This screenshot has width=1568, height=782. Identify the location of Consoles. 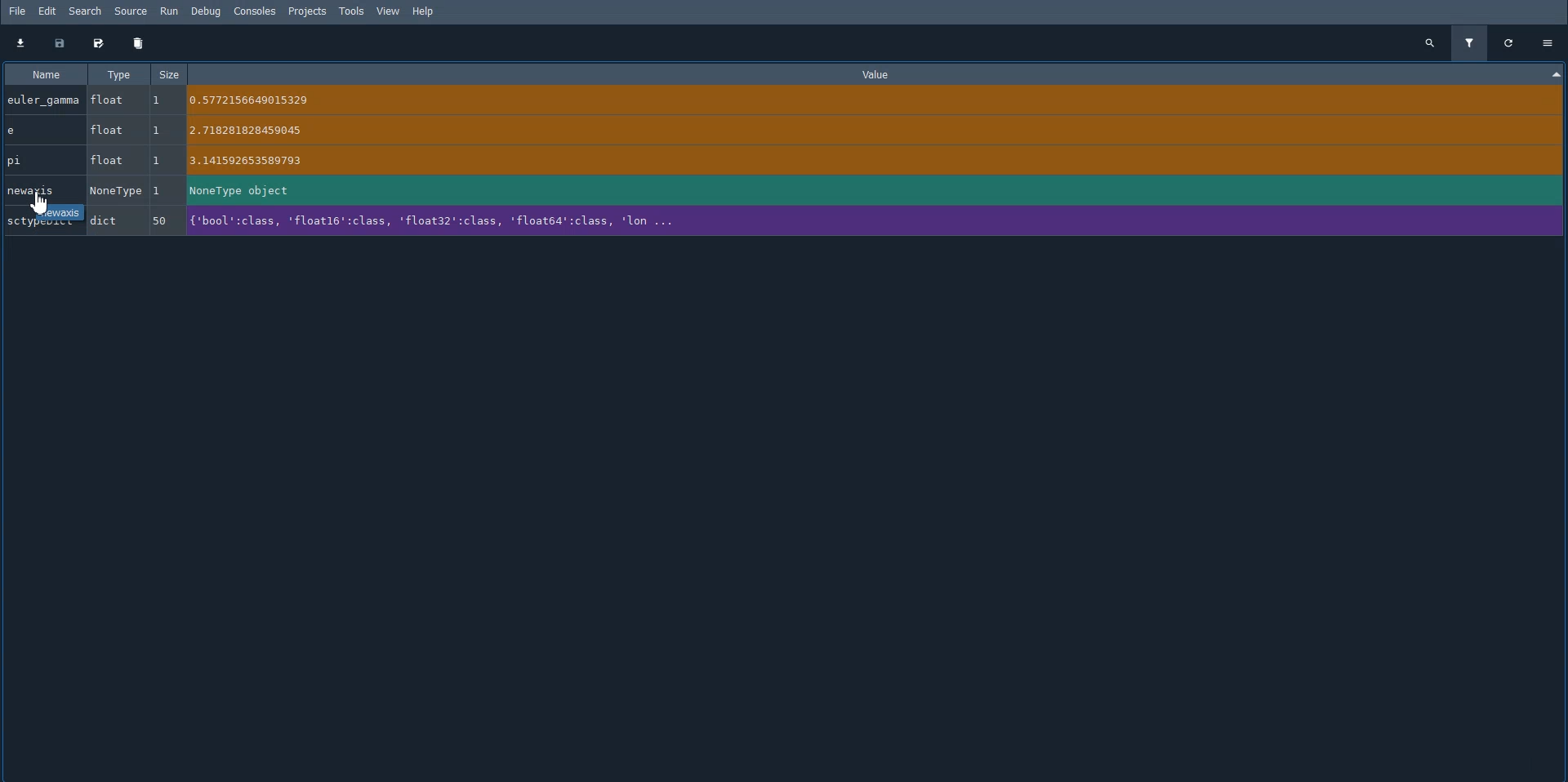
(254, 11).